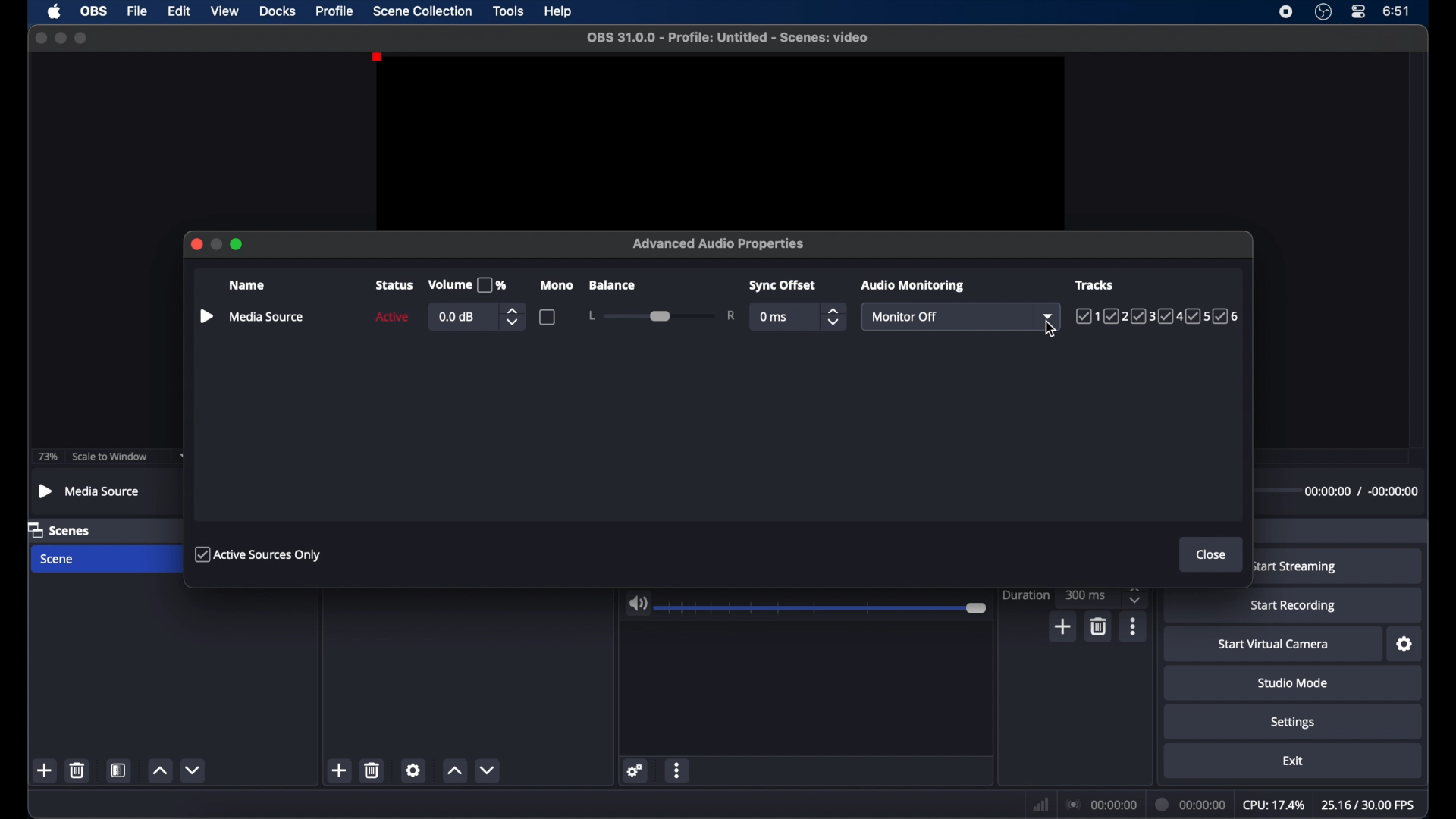 The width and height of the screenshot is (1456, 819). I want to click on duration, so click(1191, 804).